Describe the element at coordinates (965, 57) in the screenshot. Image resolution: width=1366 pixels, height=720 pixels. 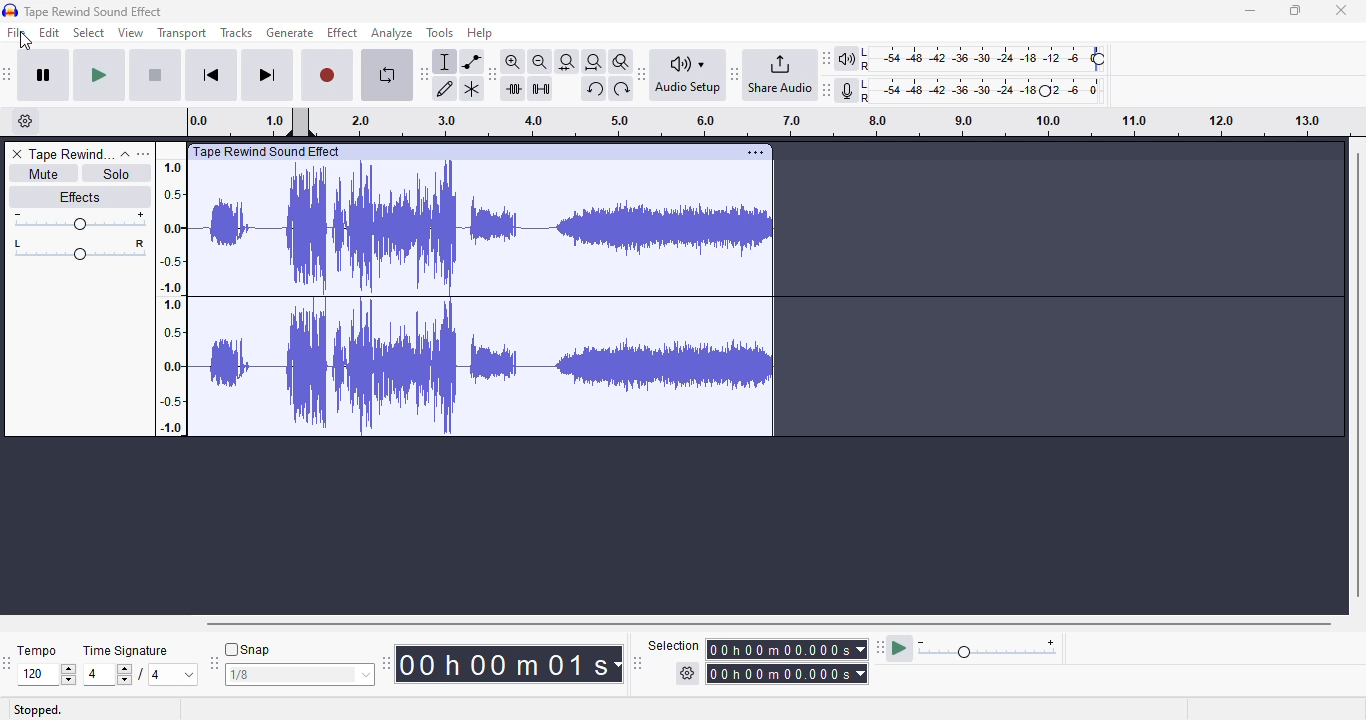
I see `audacity playback meter toolbar` at that location.